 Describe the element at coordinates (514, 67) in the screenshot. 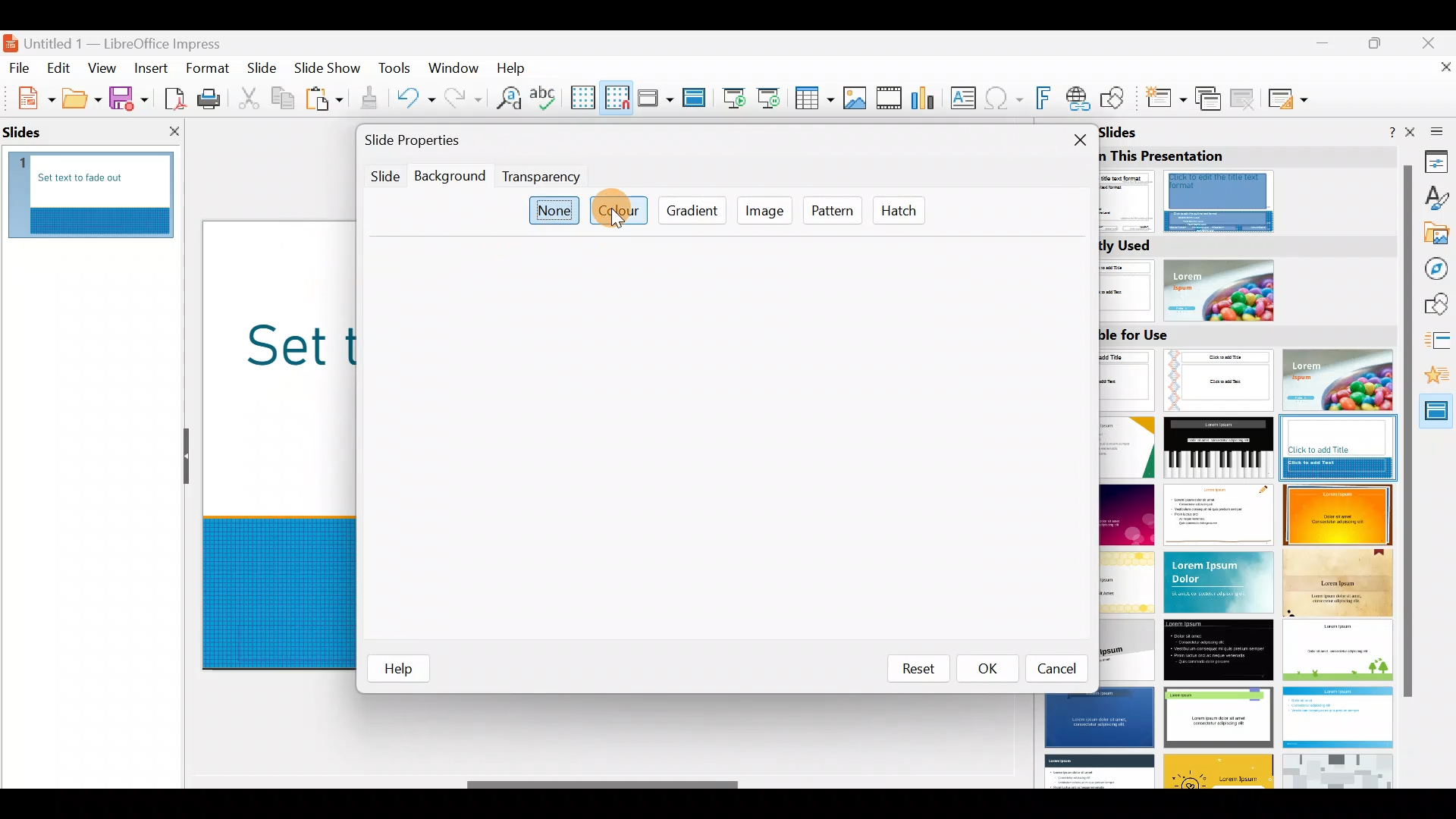

I see `Help` at that location.